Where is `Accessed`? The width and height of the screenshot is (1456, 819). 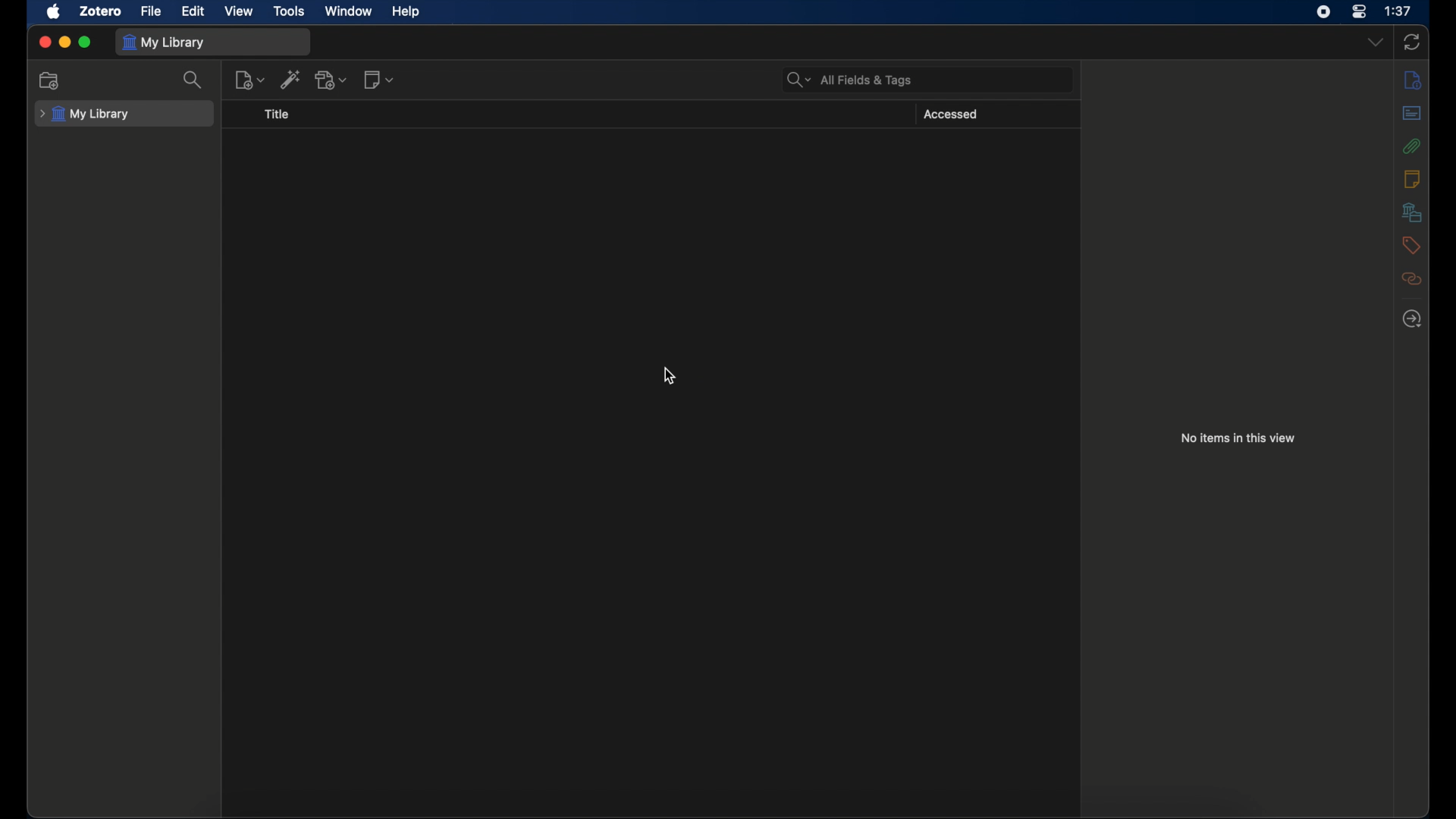
Accessed is located at coordinates (957, 115).